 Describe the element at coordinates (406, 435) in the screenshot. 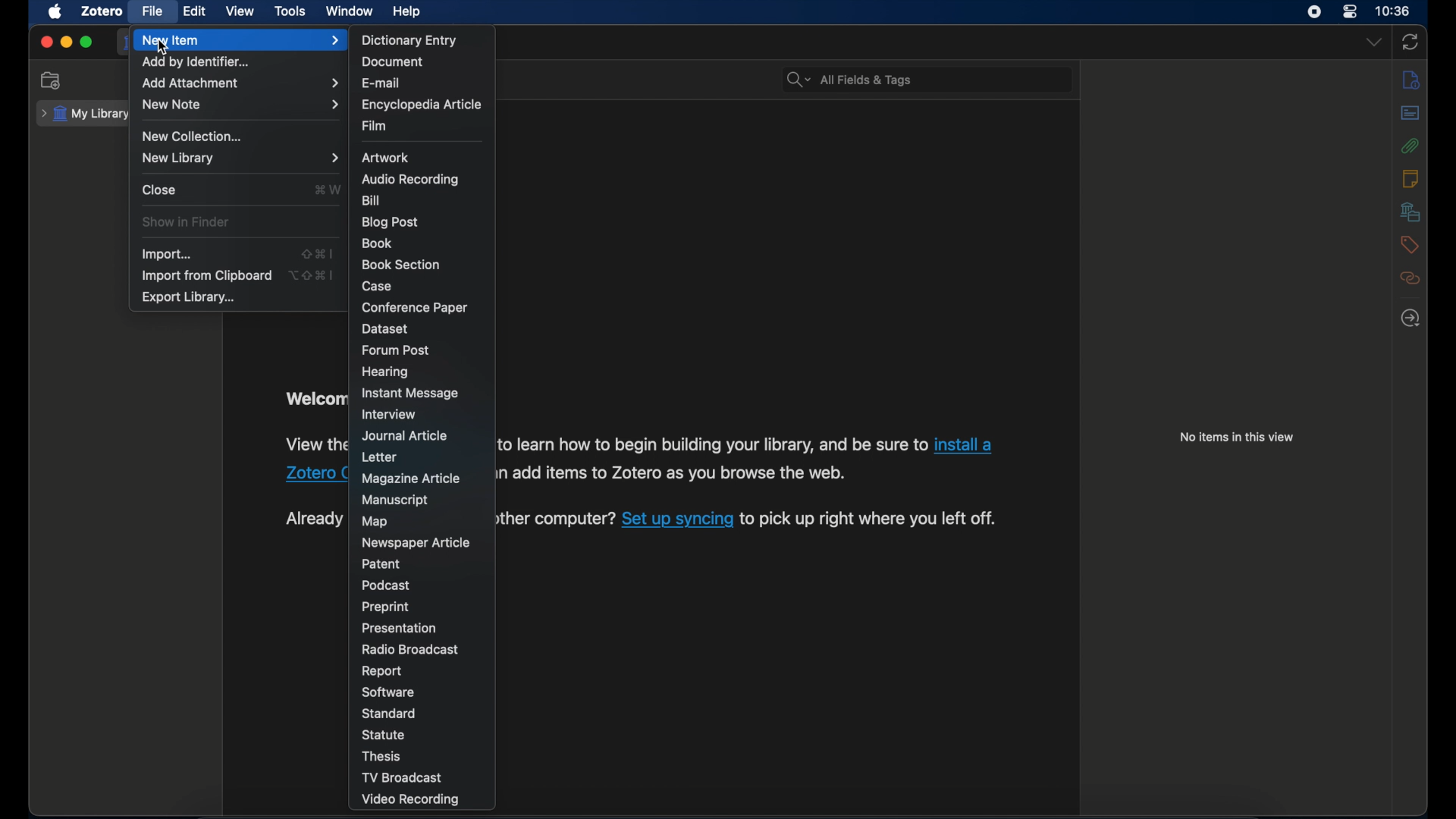

I see `journal article` at that location.